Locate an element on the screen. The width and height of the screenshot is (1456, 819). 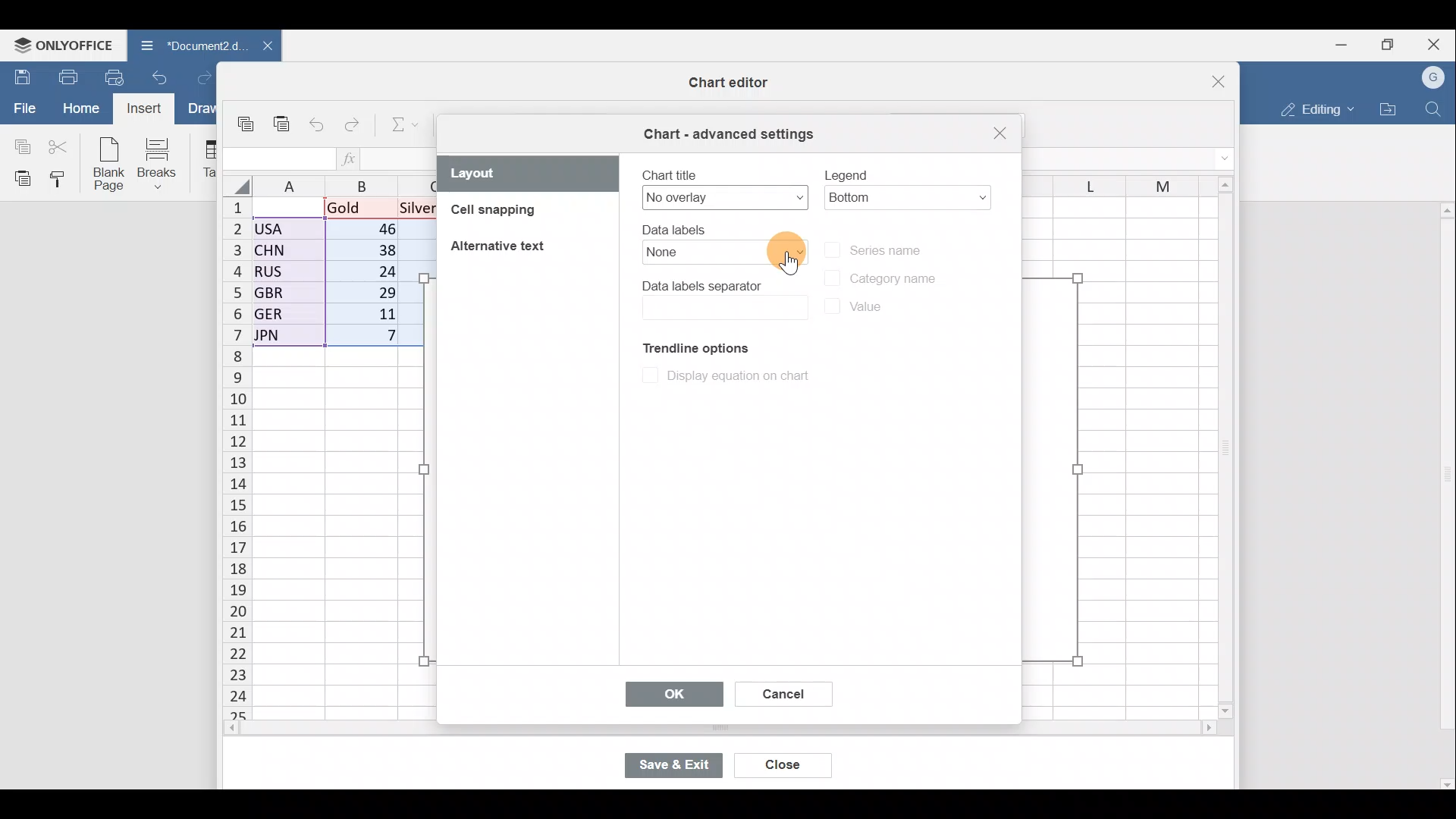
Redo is located at coordinates (203, 79).